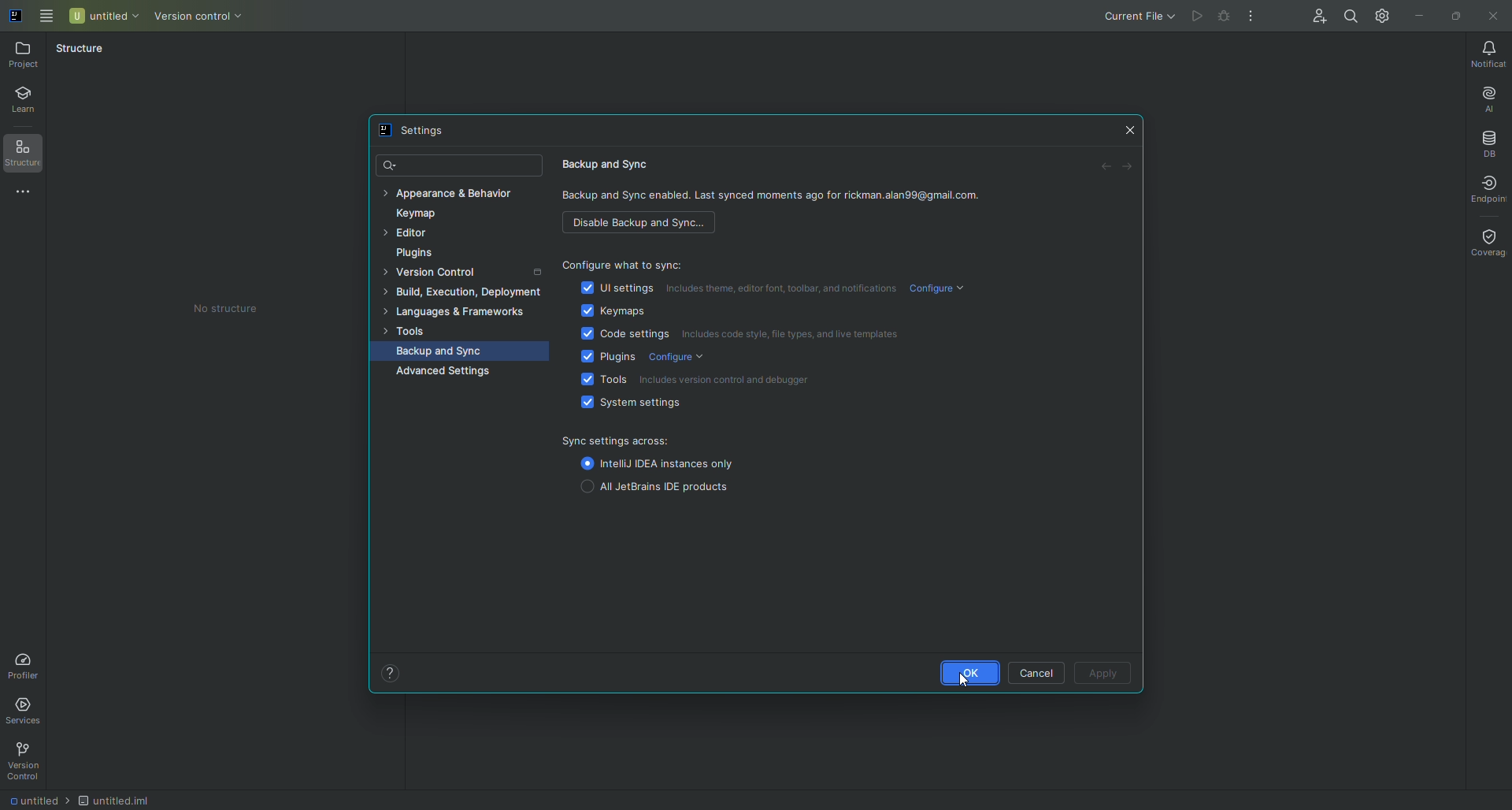 Image resolution: width=1512 pixels, height=810 pixels. I want to click on Keymaps, so click(603, 314).